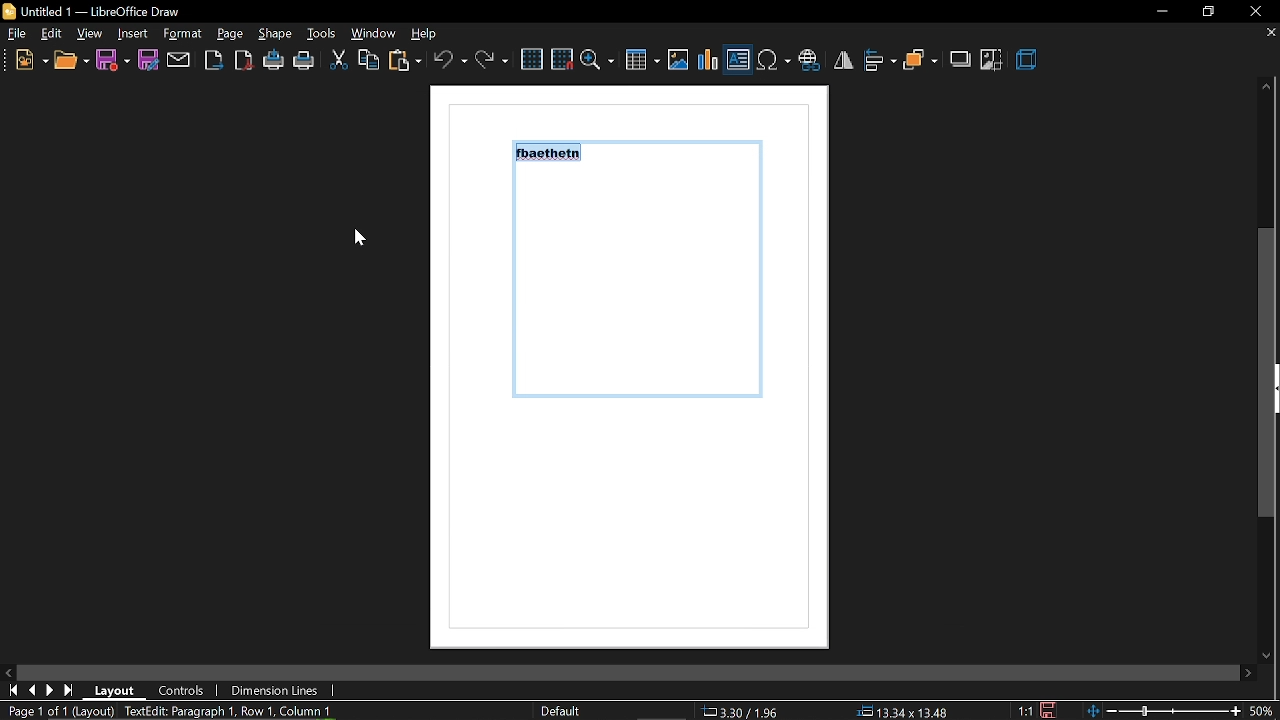 The height and width of the screenshot is (720, 1280). I want to click on shadow, so click(961, 60).